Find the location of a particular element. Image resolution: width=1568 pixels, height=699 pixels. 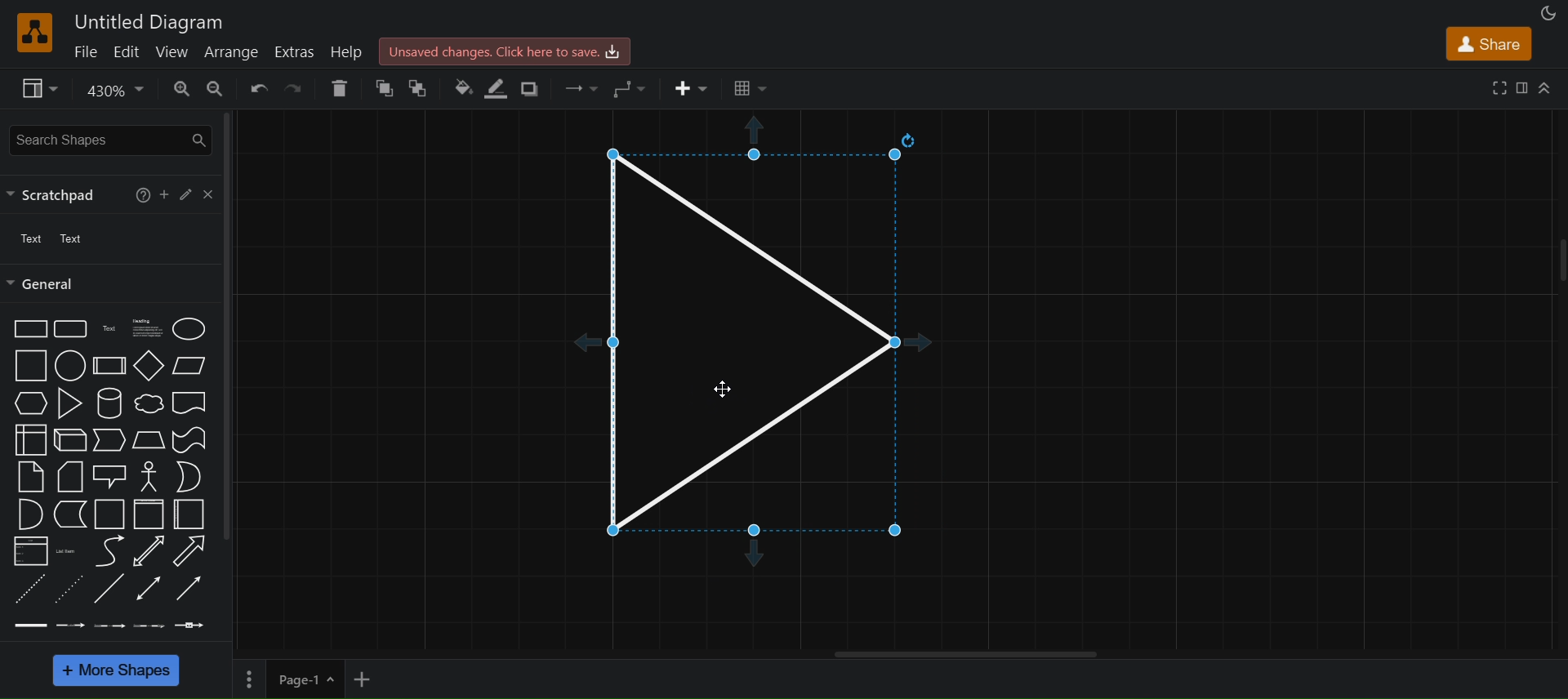

close is located at coordinates (207, 193).